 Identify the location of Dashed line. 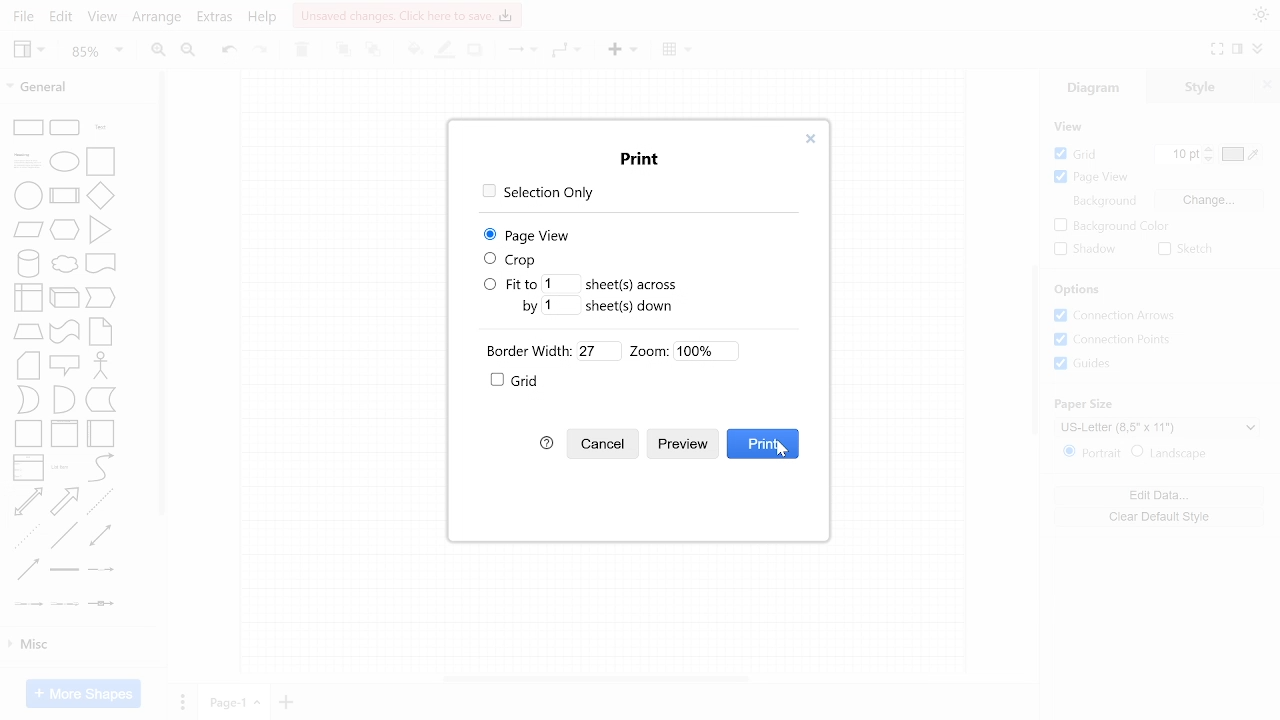
(99, 502).